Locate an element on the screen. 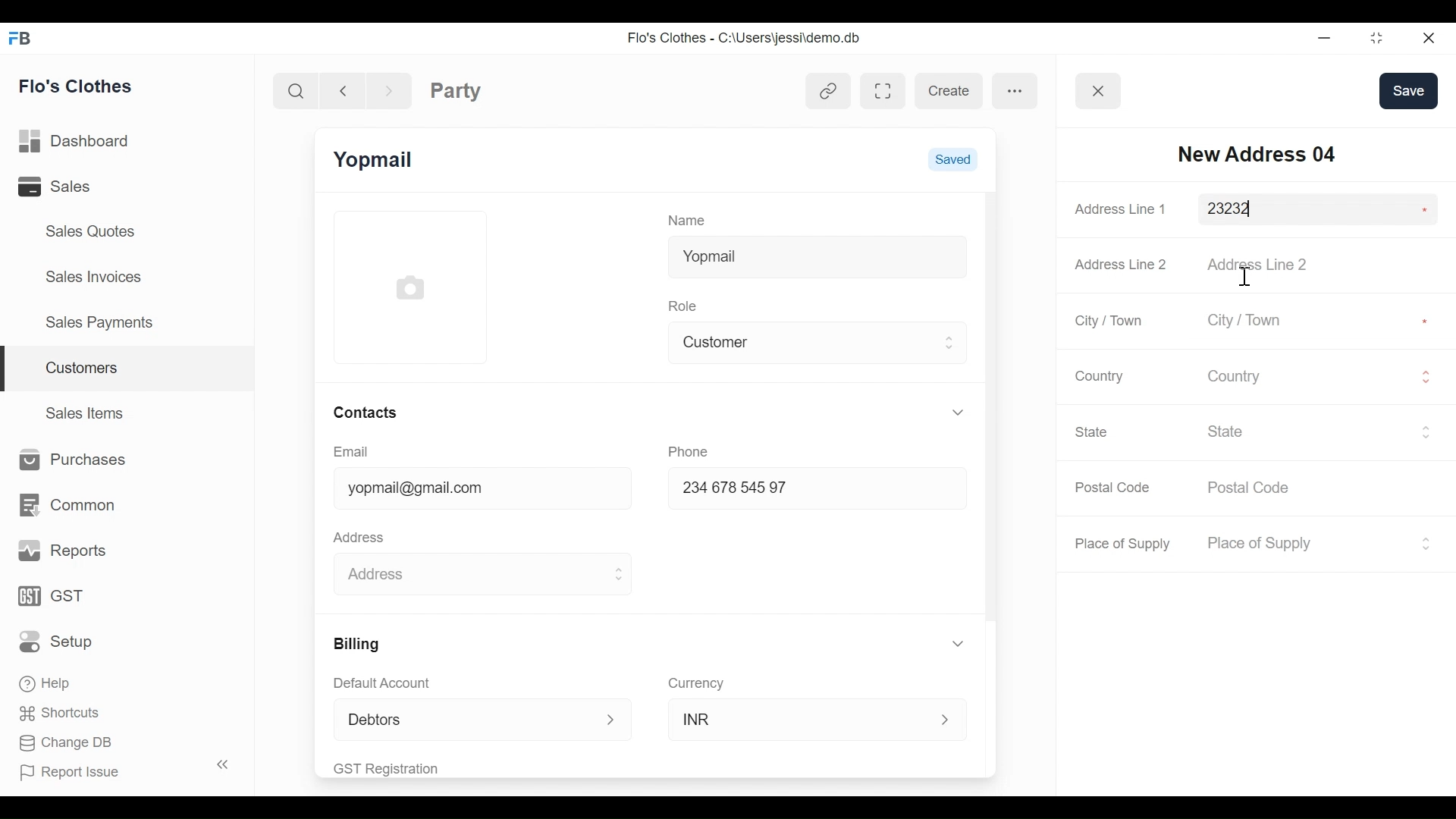  Country is located at coordinates (1097, 375).